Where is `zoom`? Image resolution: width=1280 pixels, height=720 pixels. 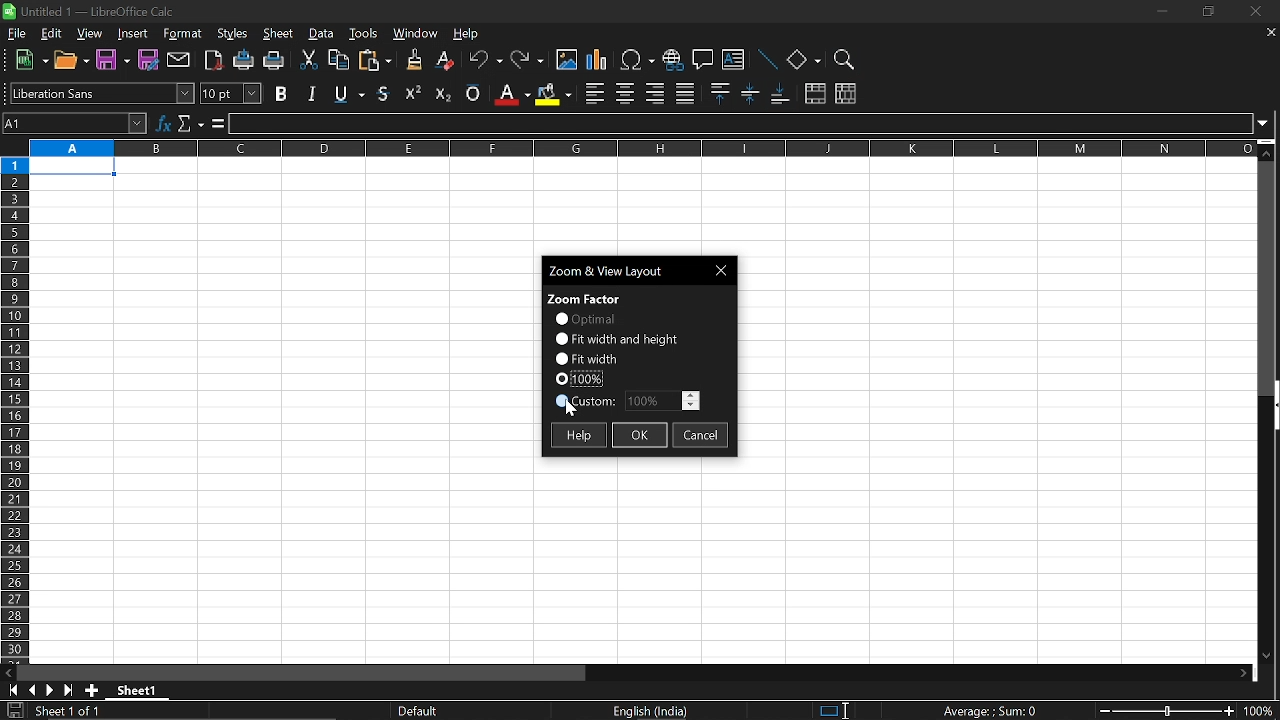 zoom is located at coordinates (842, 60).